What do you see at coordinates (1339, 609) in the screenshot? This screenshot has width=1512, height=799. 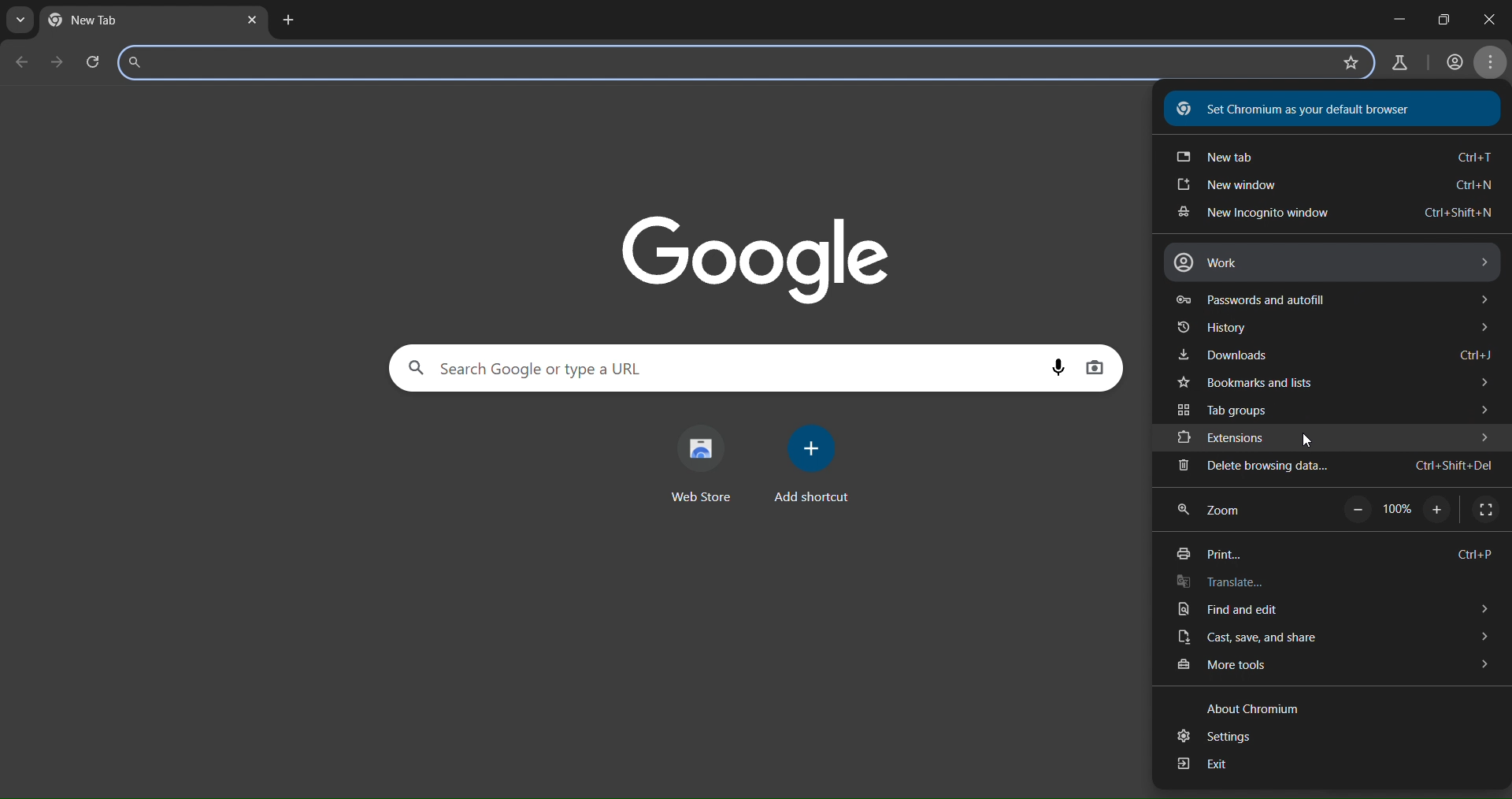 I see `find and edit` at bounding box center [1339, 609].